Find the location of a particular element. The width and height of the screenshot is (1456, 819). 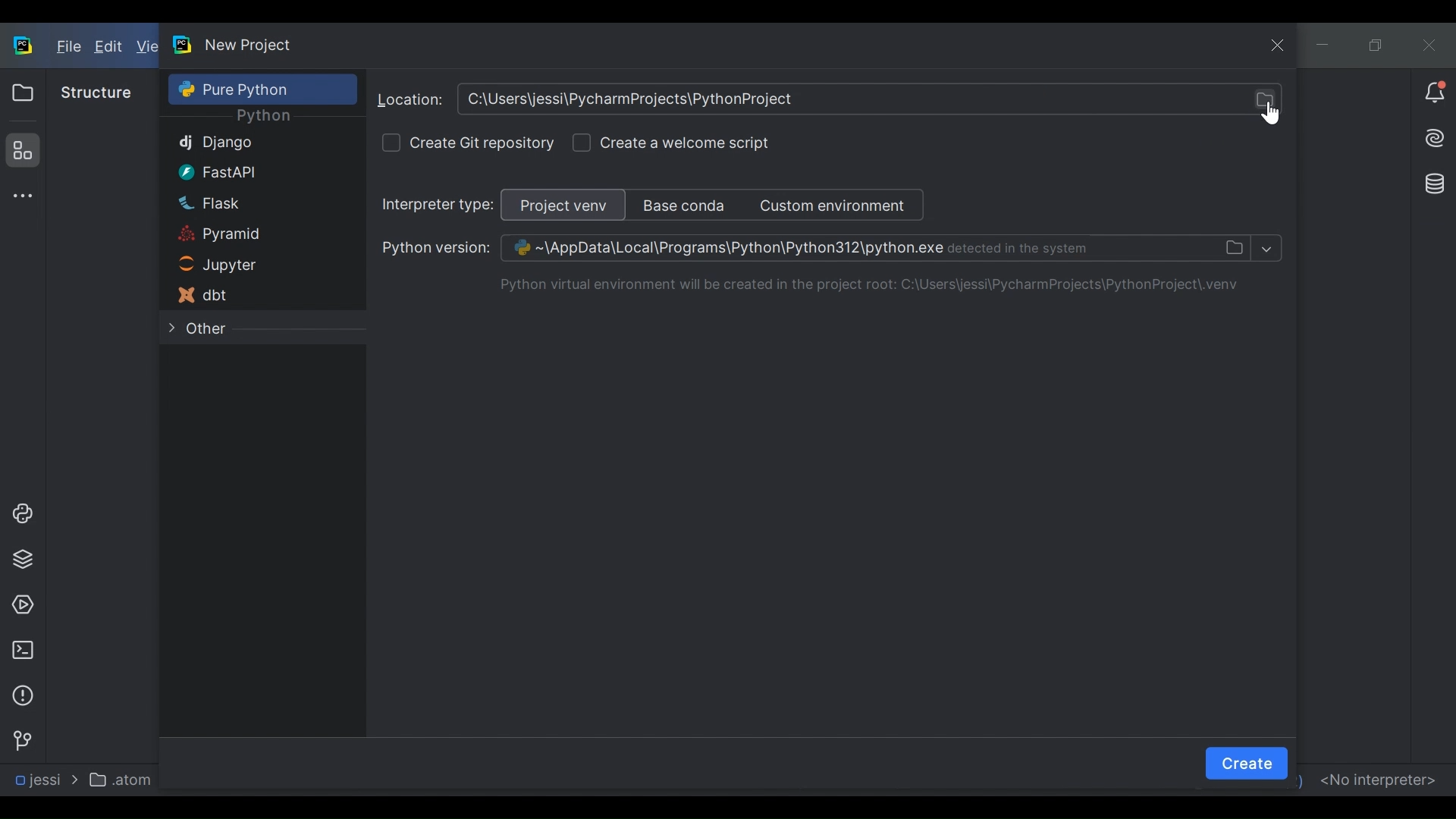

File is located at coordinates (67, 48).